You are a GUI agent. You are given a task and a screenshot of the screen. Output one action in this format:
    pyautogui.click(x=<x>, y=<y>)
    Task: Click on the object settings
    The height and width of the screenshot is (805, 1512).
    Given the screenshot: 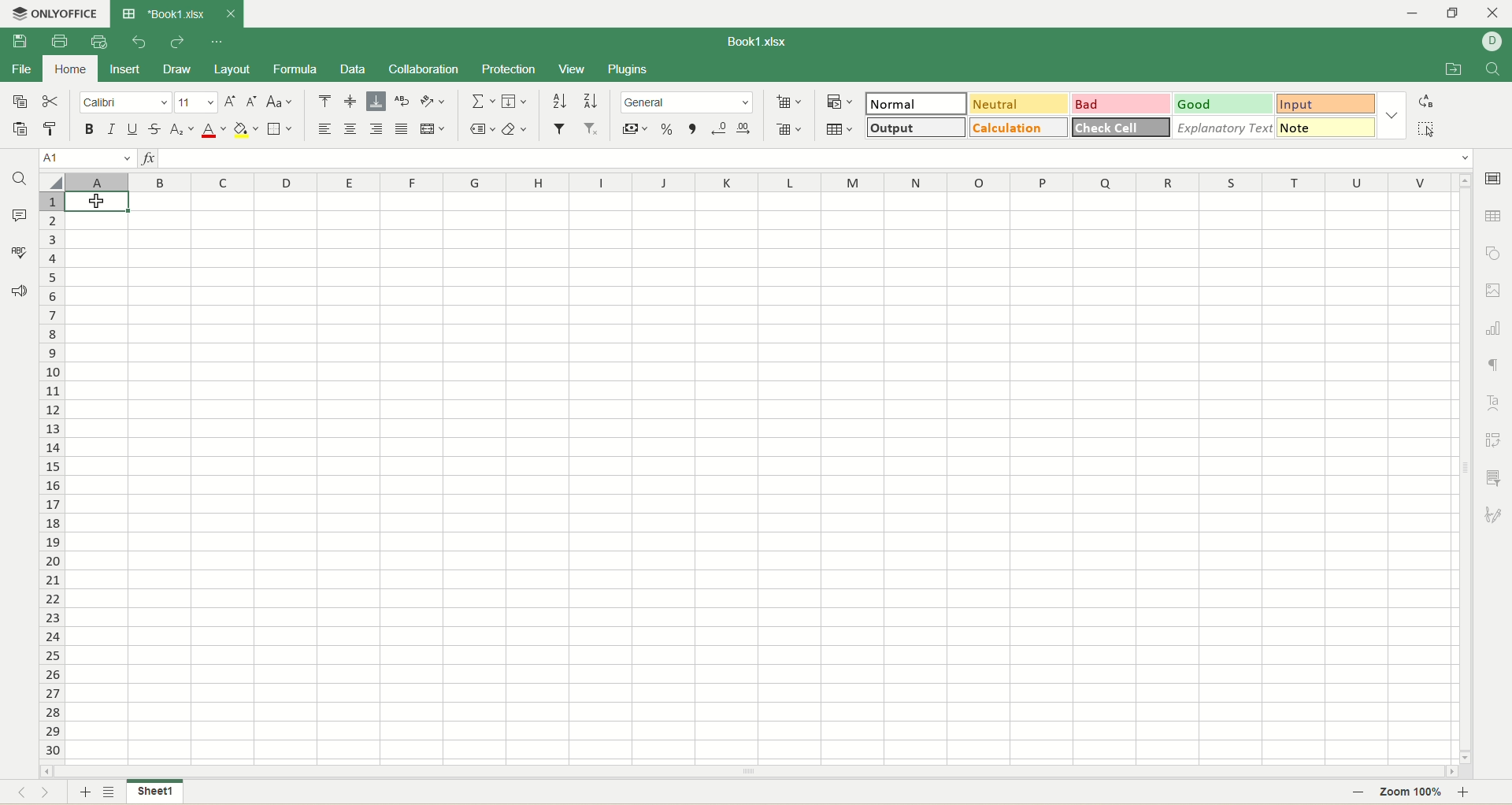 What is the action you would take?
    pyautogui.click(x=1494, y=252)
    